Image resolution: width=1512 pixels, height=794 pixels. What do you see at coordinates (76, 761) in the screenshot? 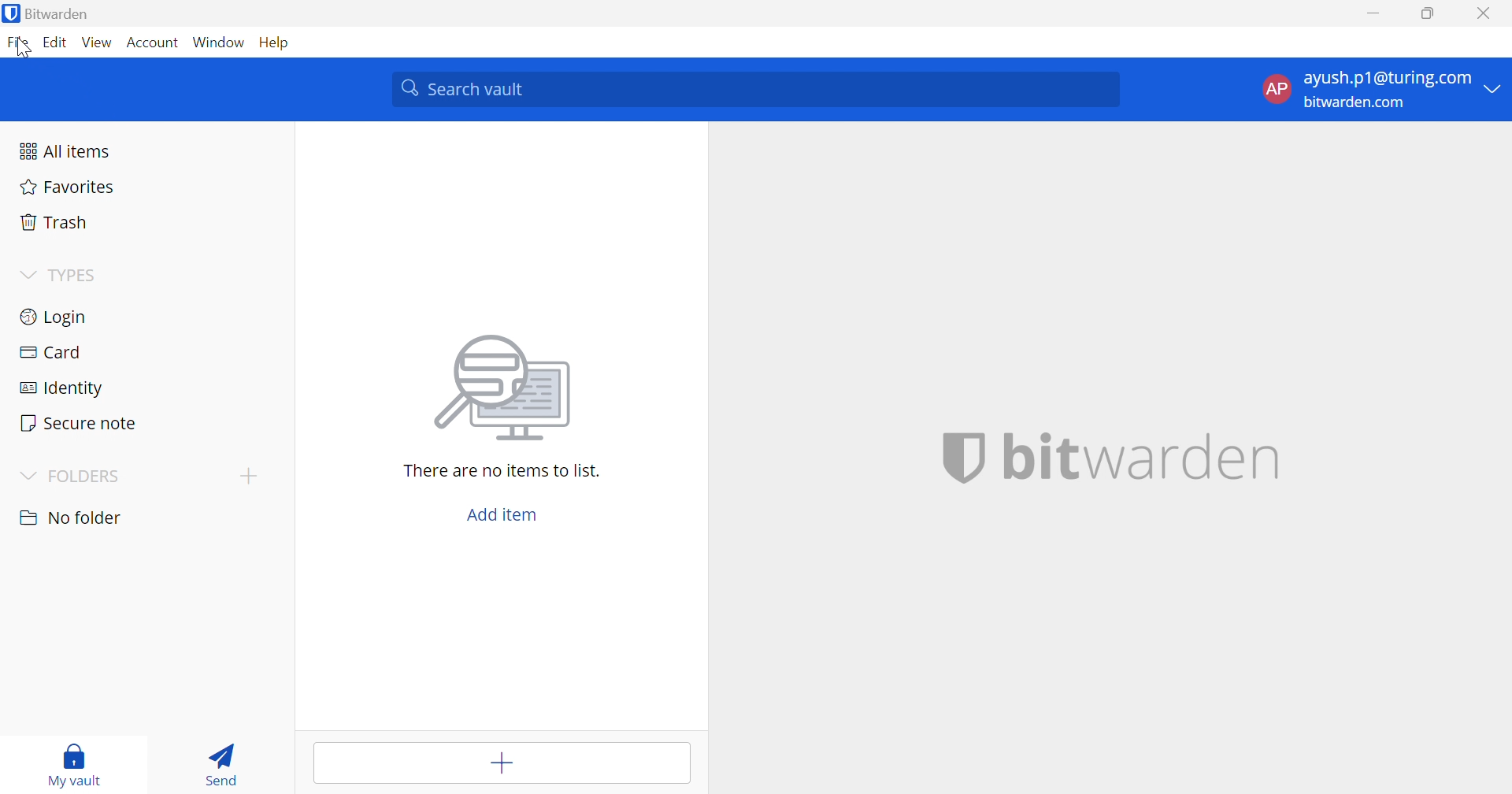
I see `My vault` at bounding box center [76, 761].